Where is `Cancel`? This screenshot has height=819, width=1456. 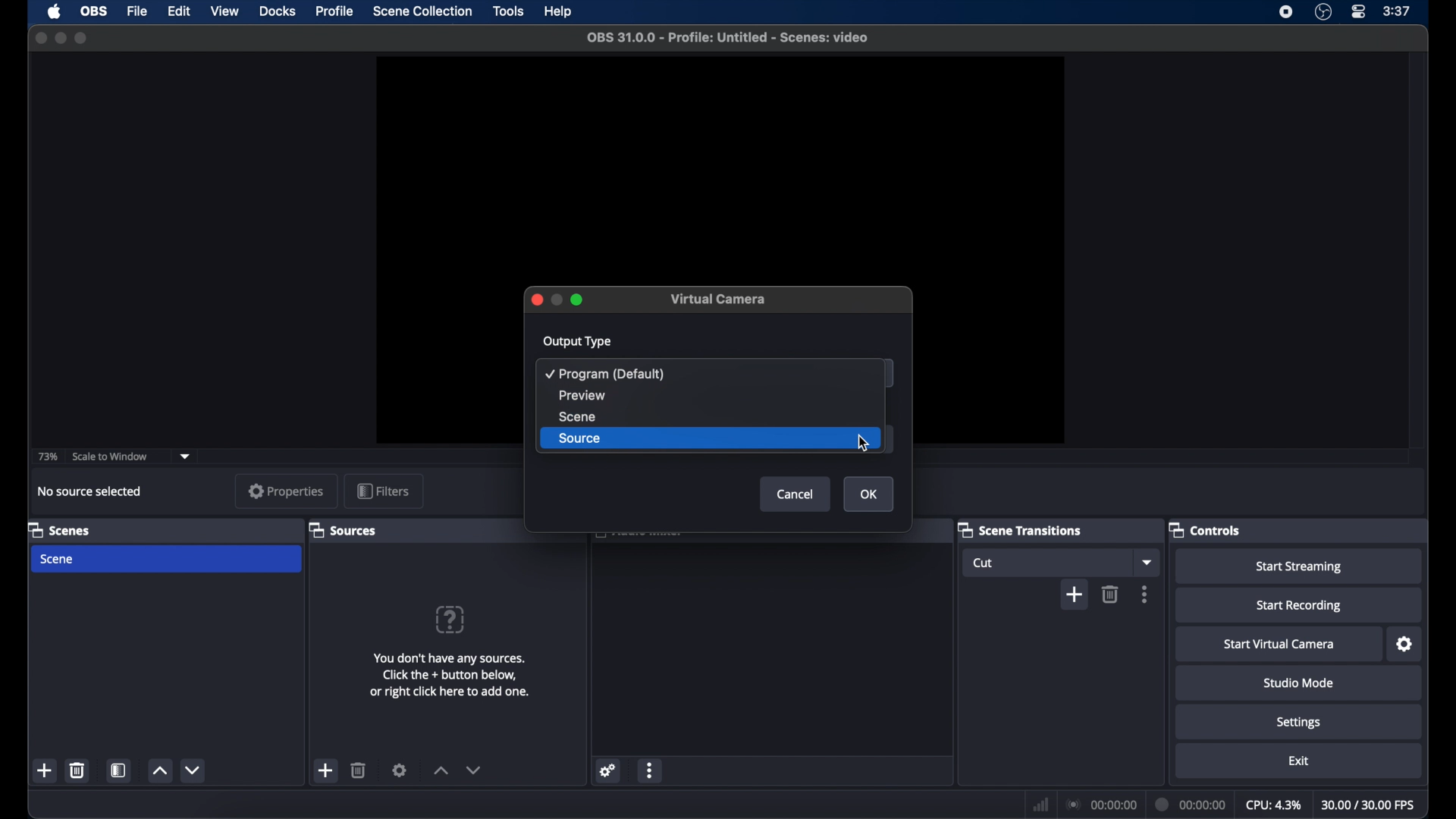
Cancel is located at coordinates (796, 494).